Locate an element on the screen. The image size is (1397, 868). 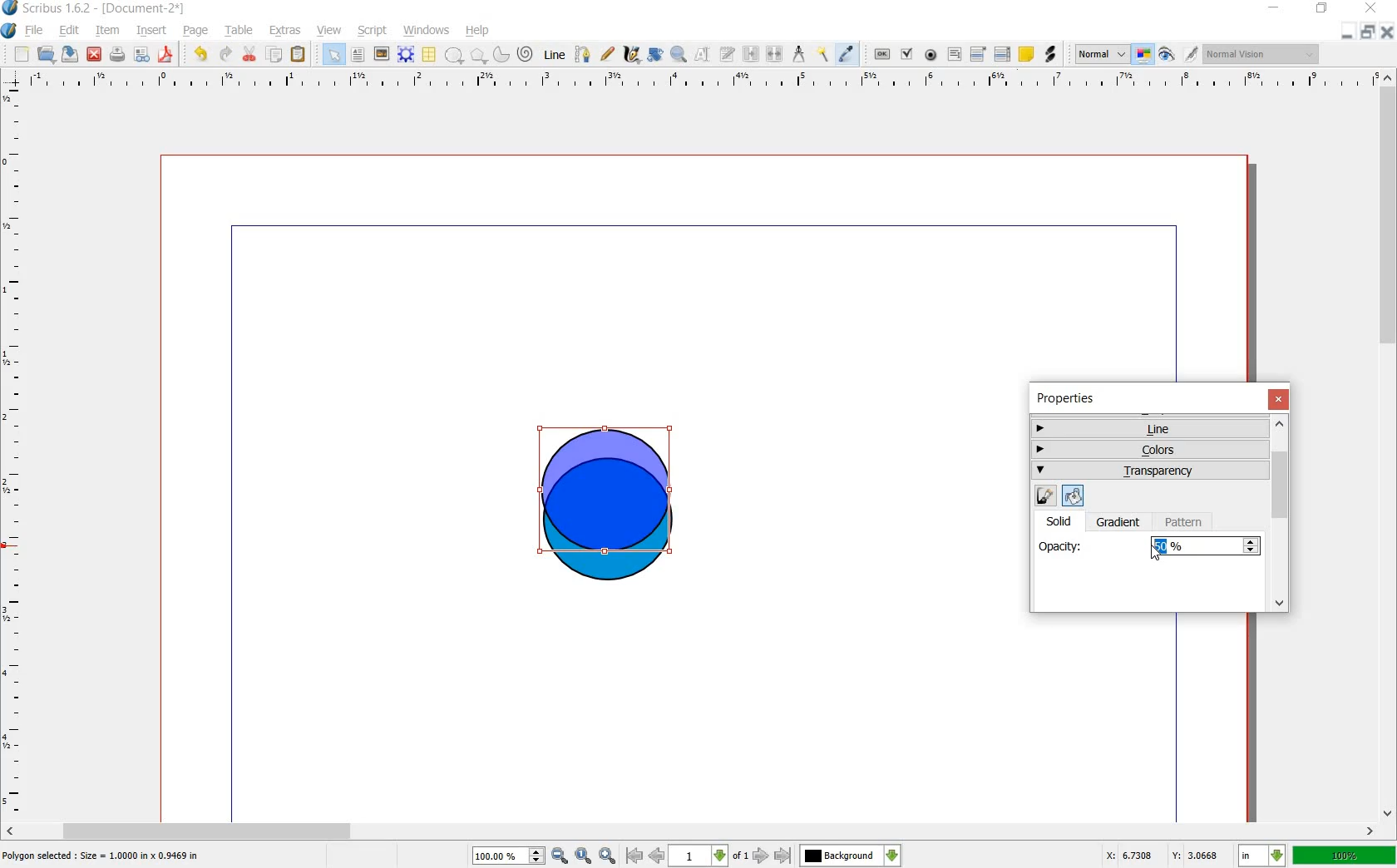
arc is located at coordinates (501, 57).